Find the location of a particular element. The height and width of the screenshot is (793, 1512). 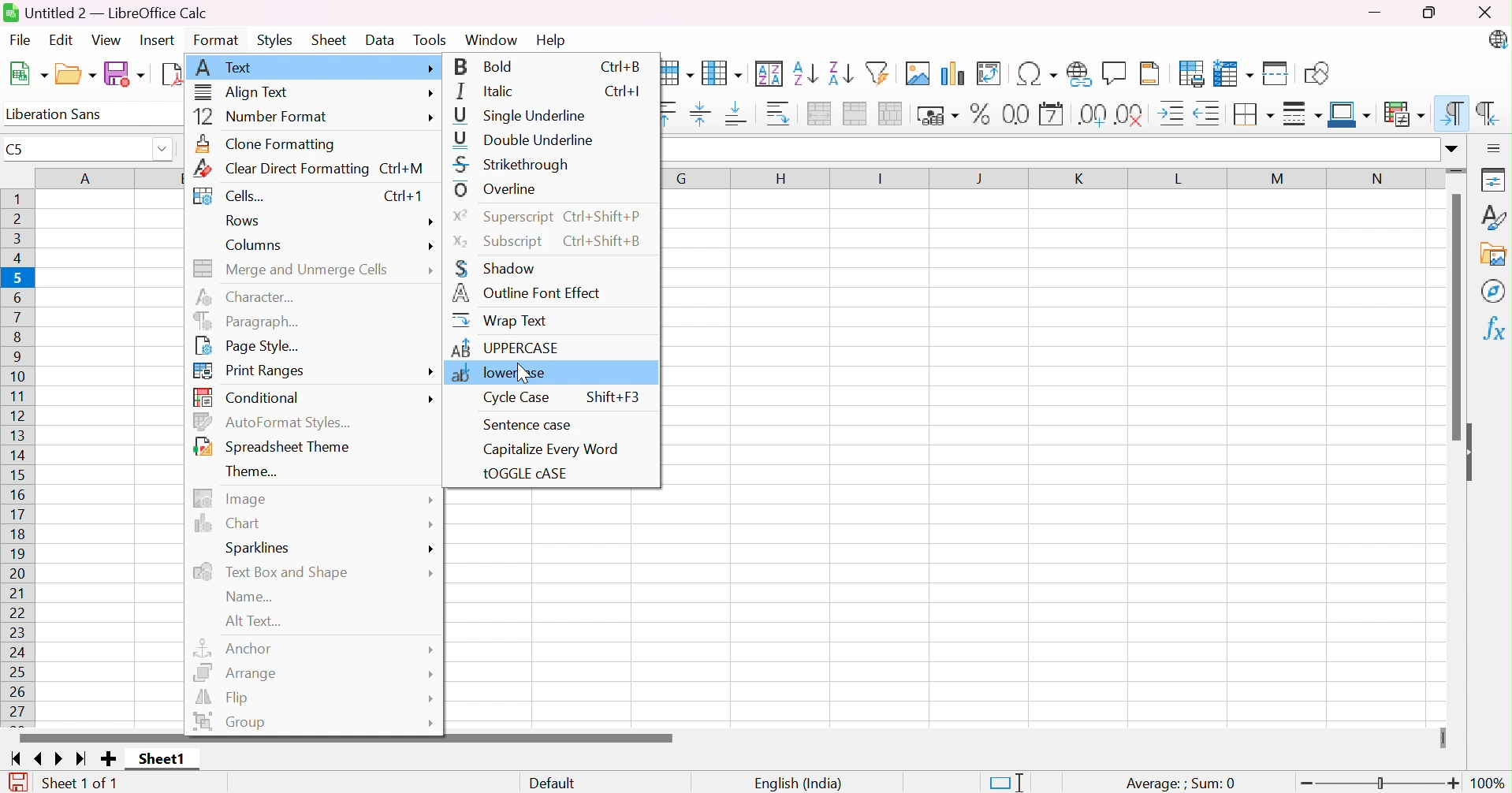

Columns is located at coordinates (257, 246).